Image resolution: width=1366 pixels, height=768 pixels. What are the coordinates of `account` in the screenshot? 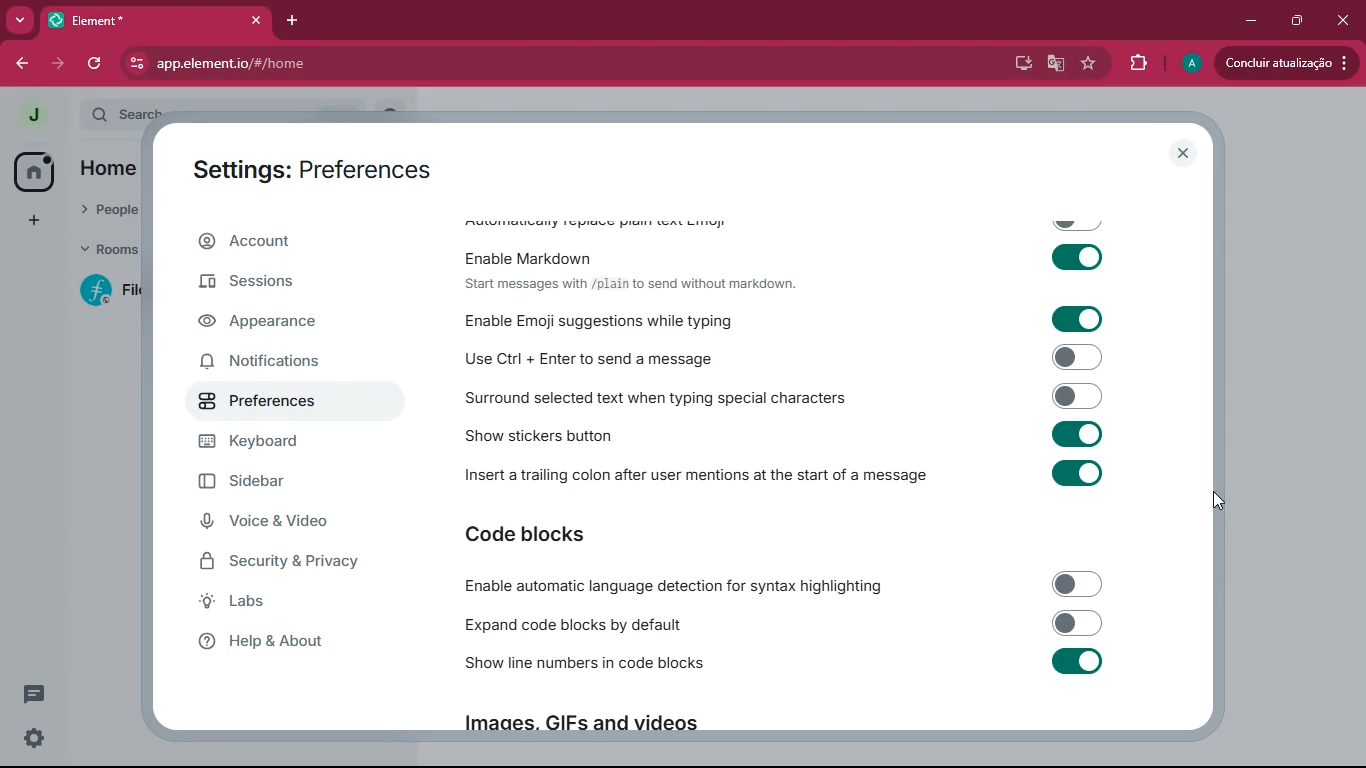 It's located at (290, 242).